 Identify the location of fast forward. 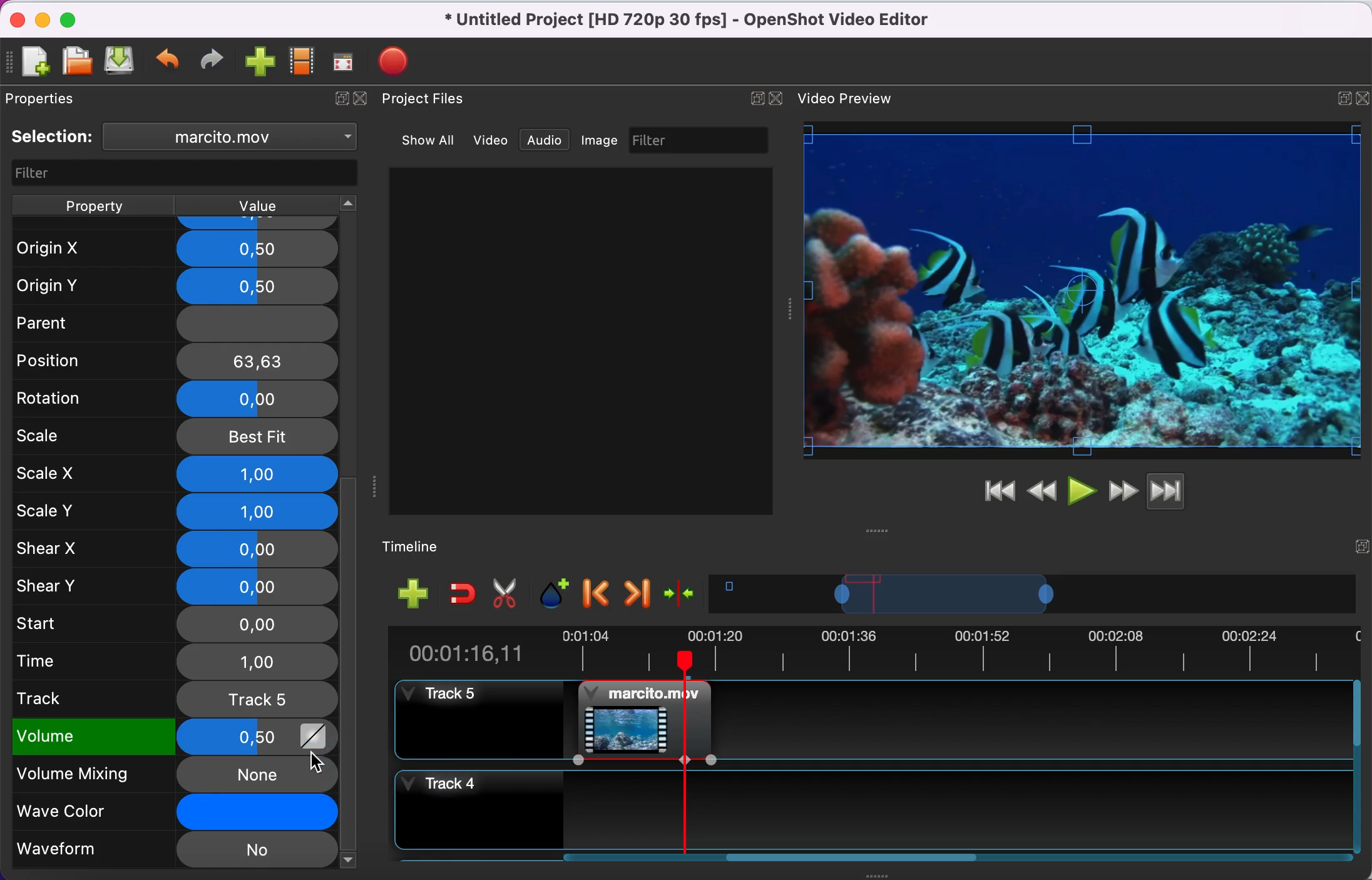
(1122, 489).